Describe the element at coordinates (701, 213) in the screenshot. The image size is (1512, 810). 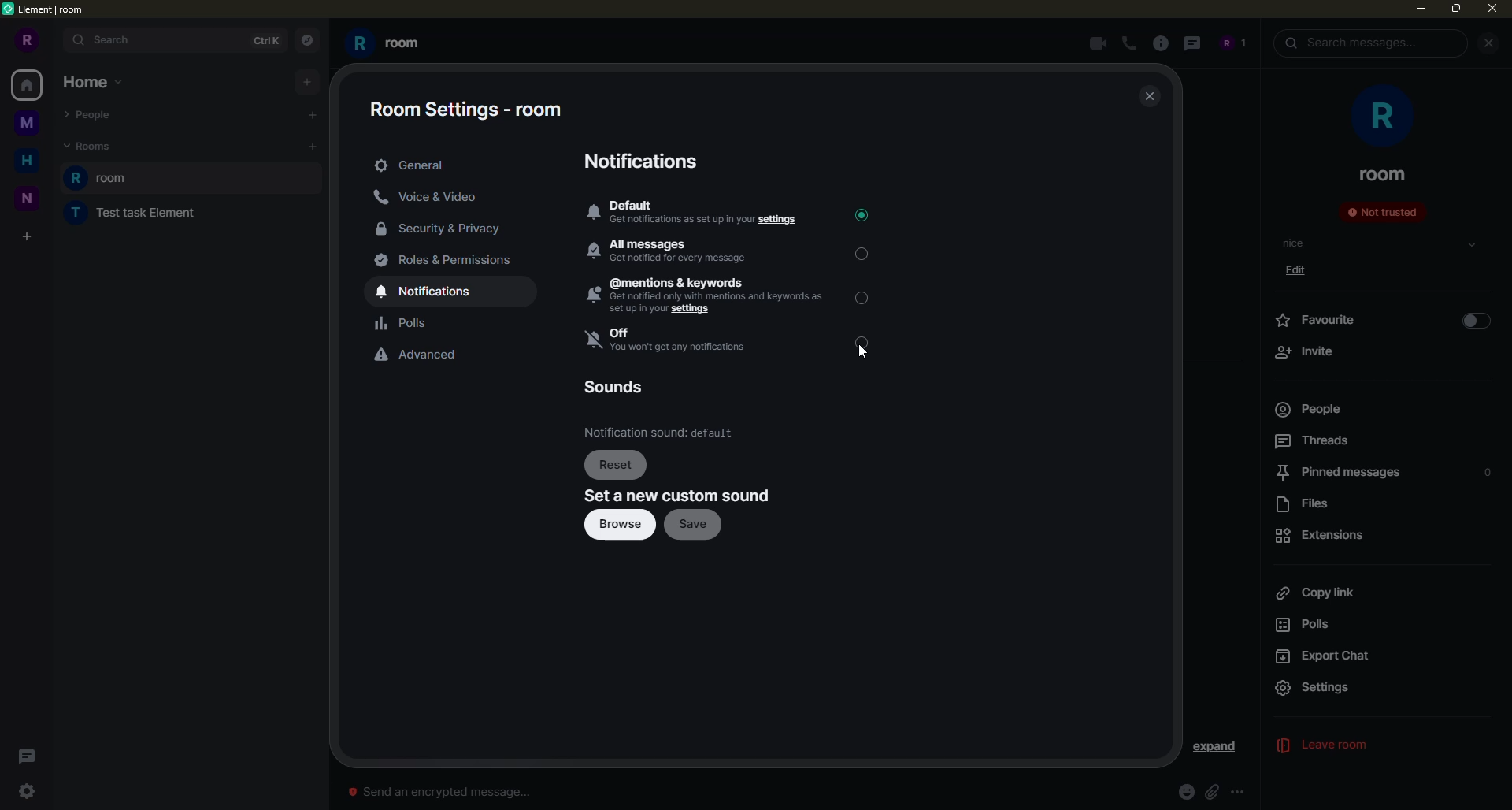
I see `default` at that location.